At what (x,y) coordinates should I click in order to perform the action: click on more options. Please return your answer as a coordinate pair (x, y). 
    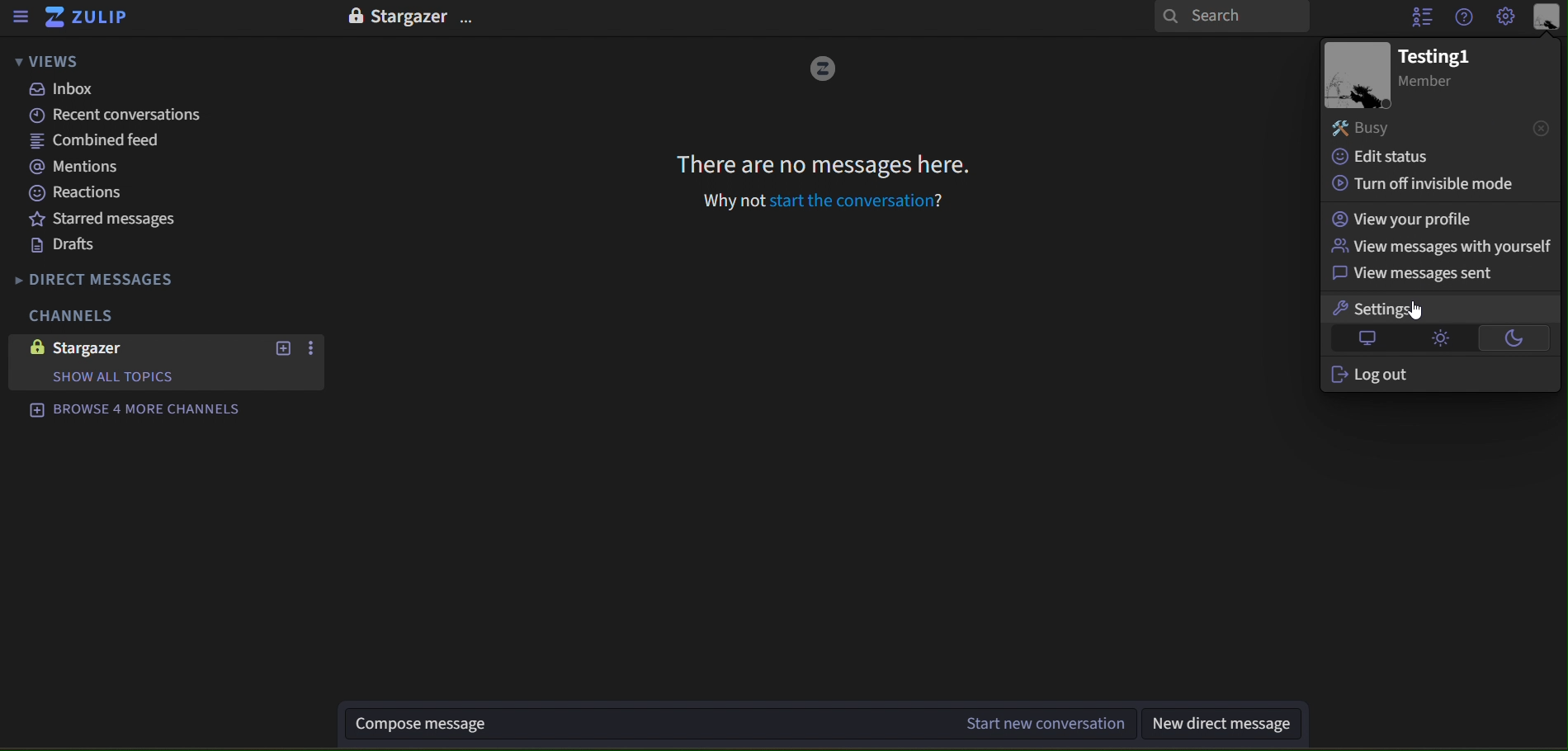
    Looking at the image, I should click on (310, 351).